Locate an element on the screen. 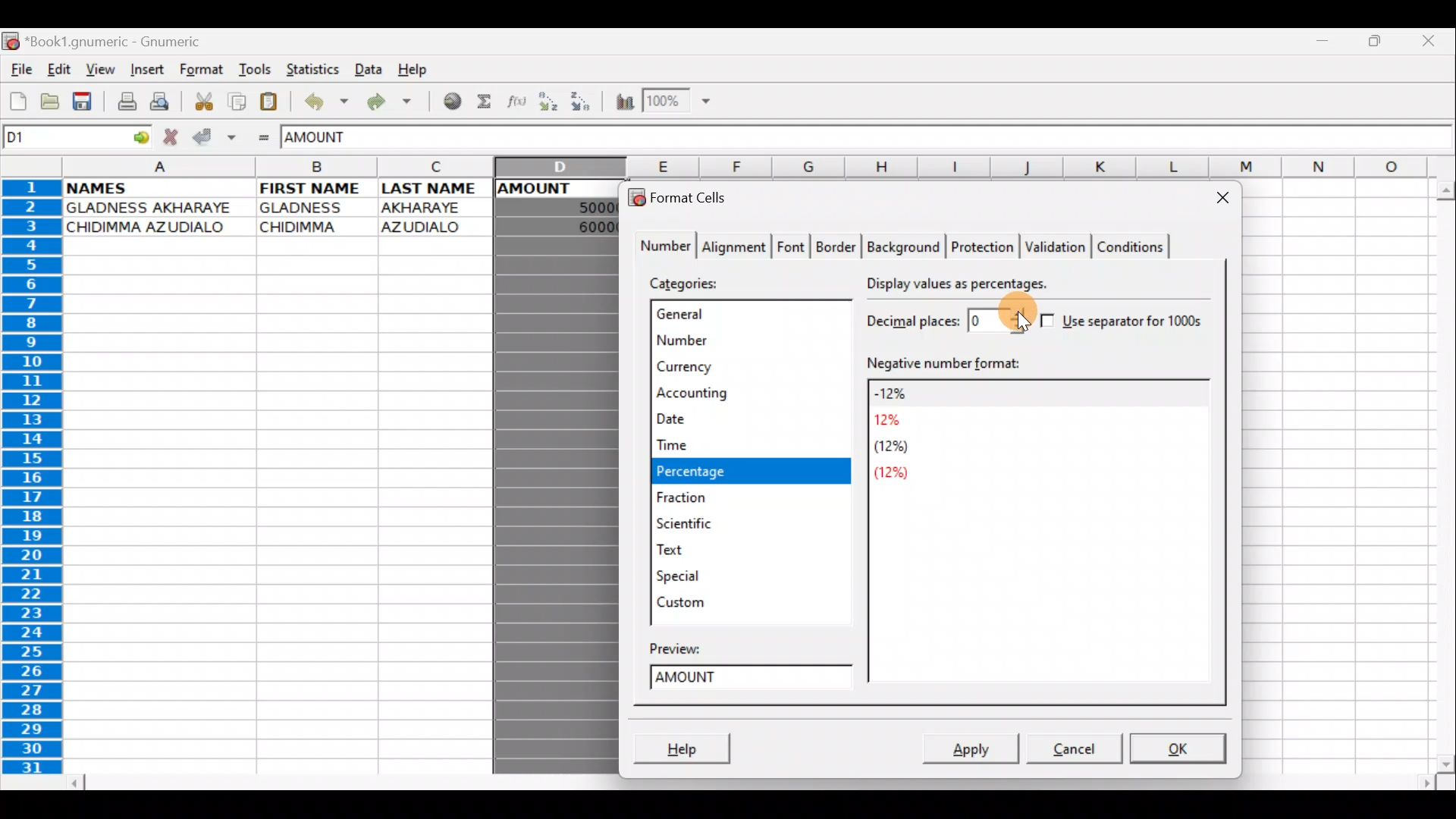  General is located at coordinates (739, 315).